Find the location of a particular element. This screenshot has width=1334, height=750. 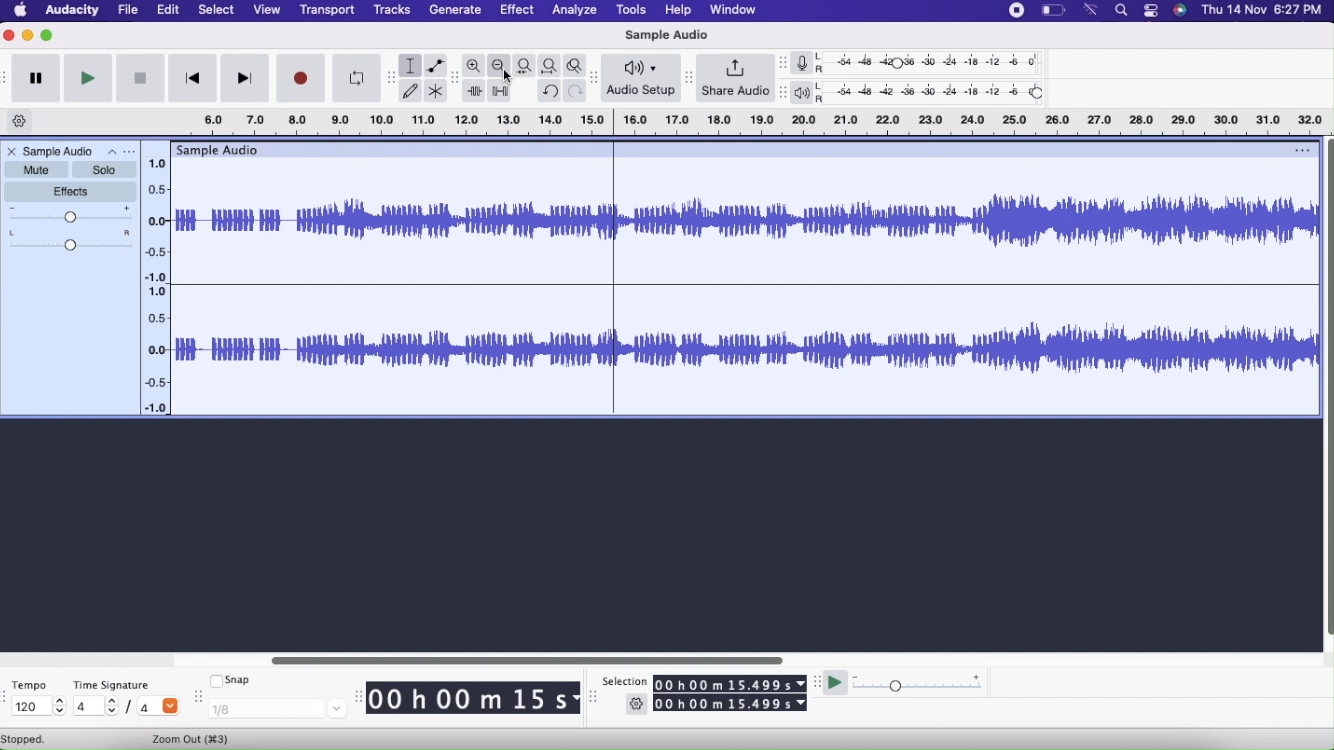

Play at speed is located at coordinates (834, 682).